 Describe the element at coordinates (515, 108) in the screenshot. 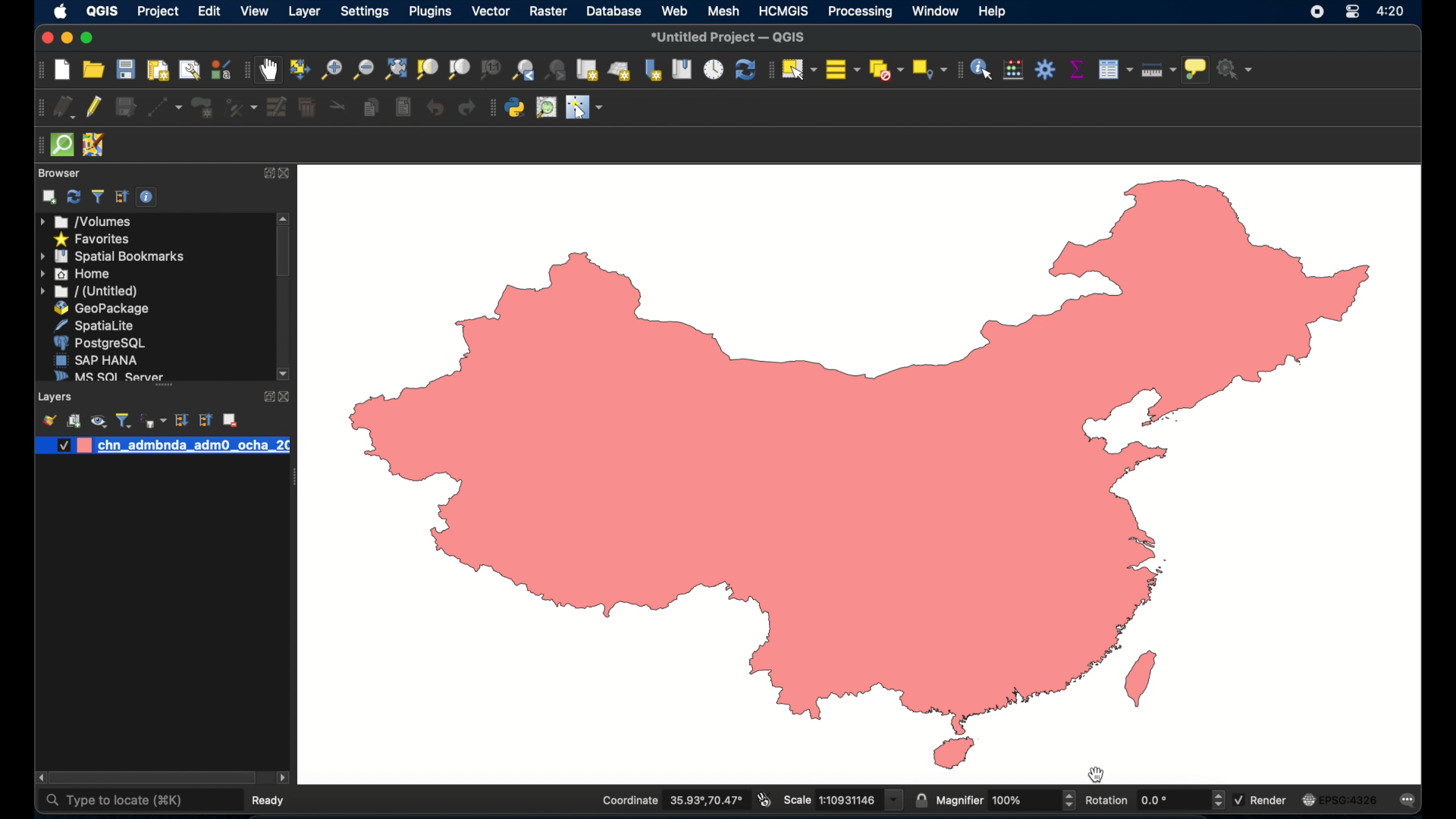

I see `python console` at that location.